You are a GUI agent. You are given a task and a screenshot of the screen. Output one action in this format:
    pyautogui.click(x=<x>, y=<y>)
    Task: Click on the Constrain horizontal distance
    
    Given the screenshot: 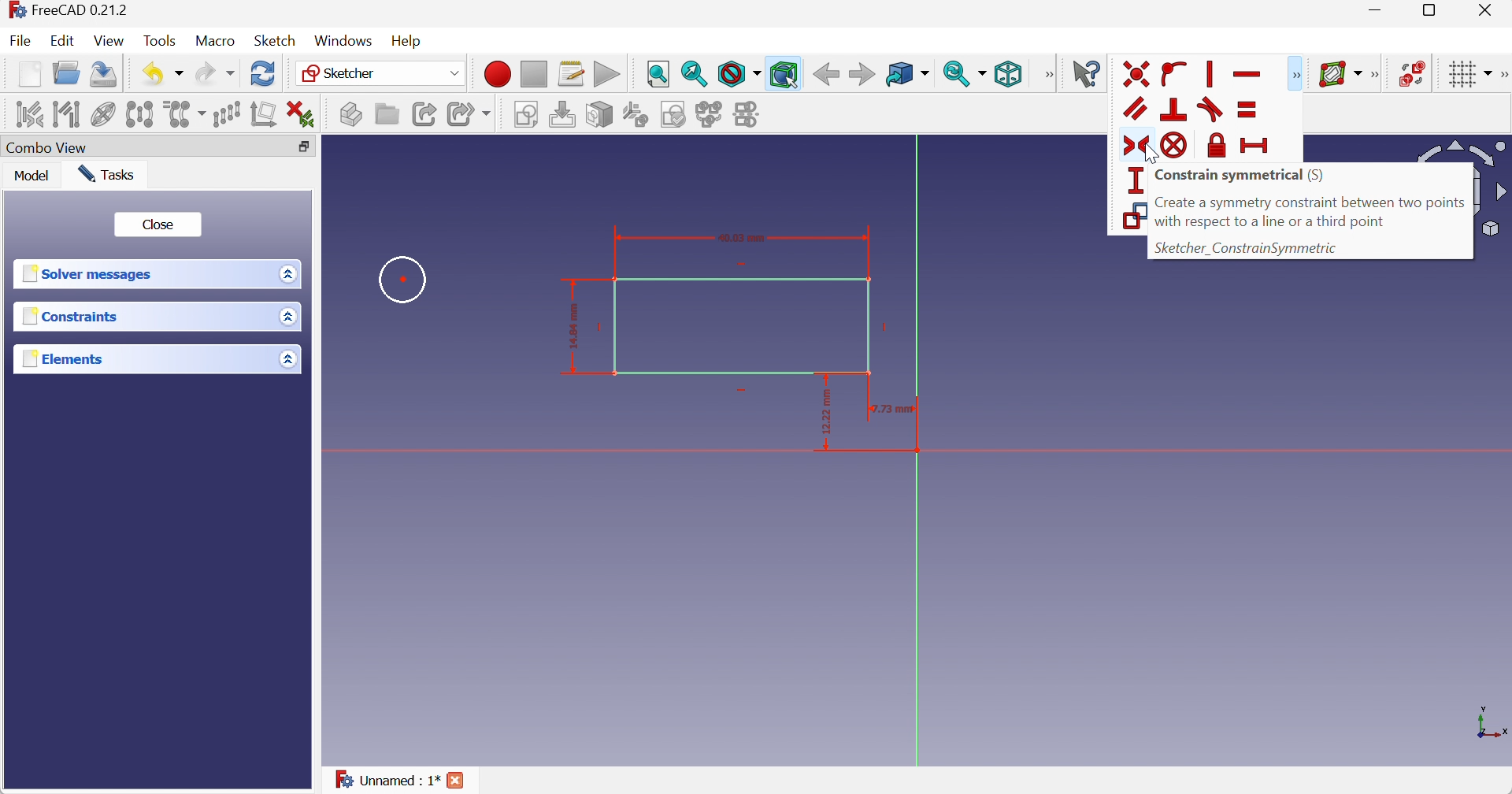 What is the action you would take?
    pyautogui.click(x=1256, y=145)
    